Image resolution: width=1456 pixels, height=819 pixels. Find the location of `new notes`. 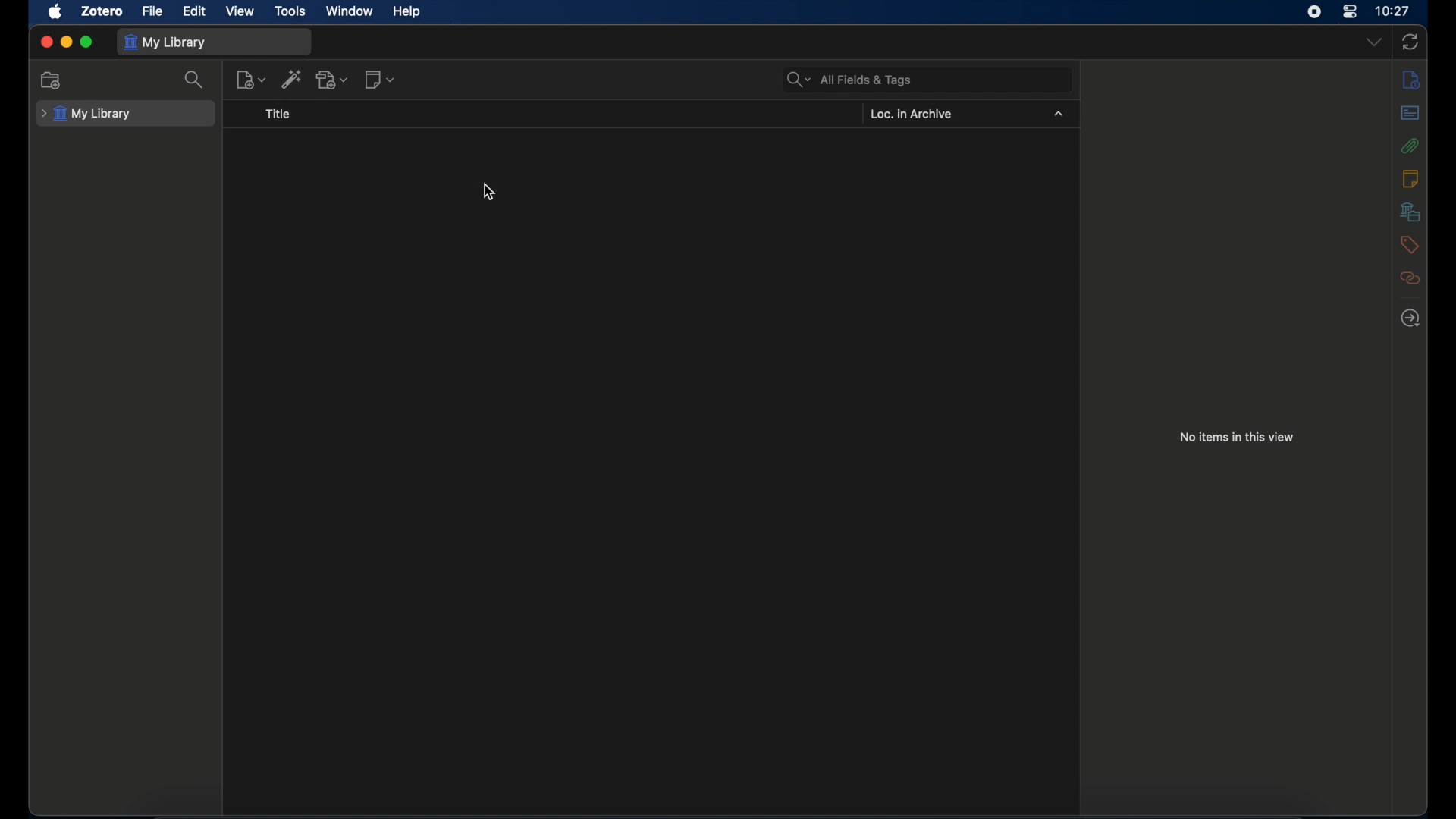

new notes is located at coordinates (379, 80).